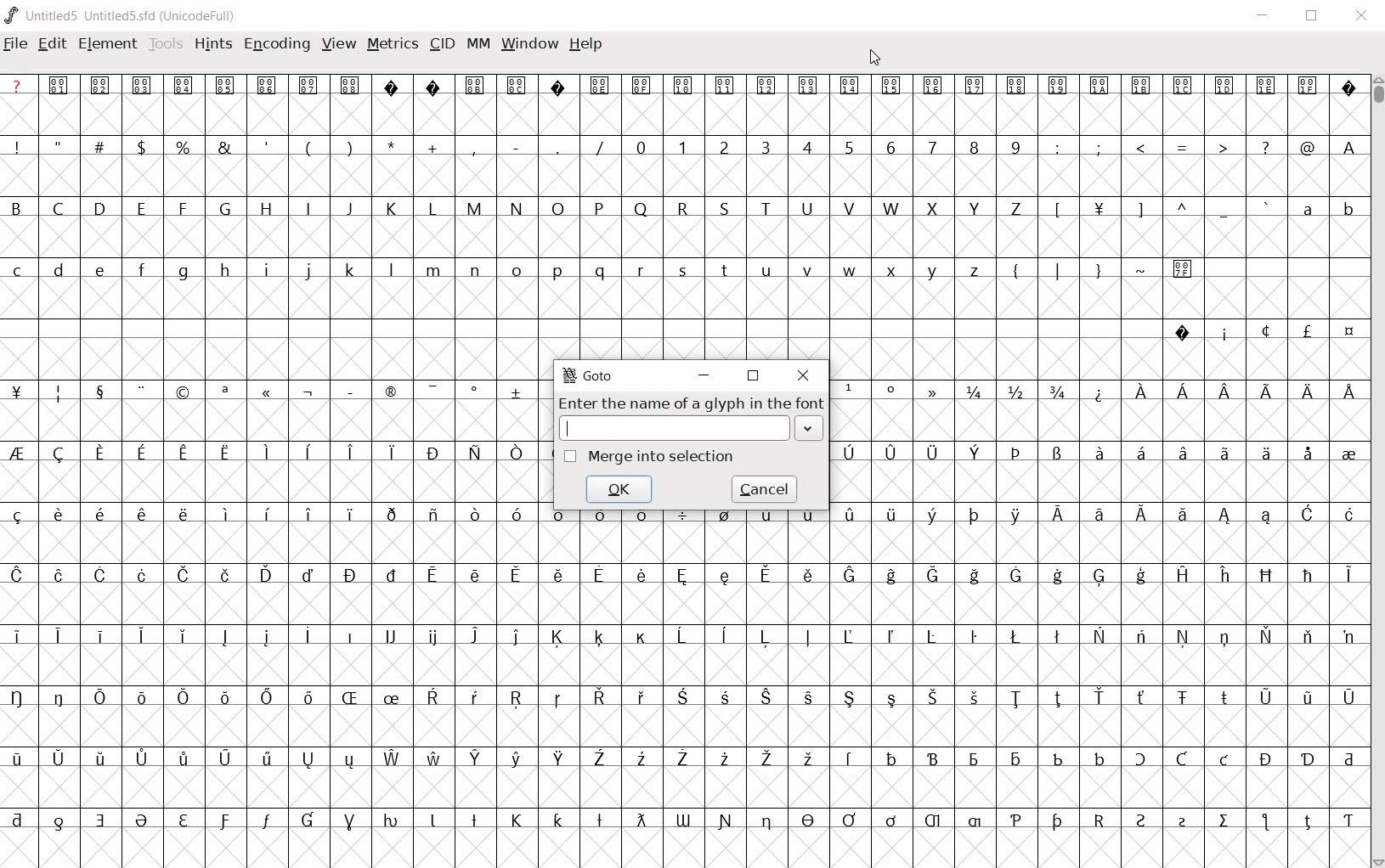 This screenshot has height=868, width=1385. What do you see at coordinates (97, 634) in the screenshot?
I see `Symbol` at bounding box center [97, 634].